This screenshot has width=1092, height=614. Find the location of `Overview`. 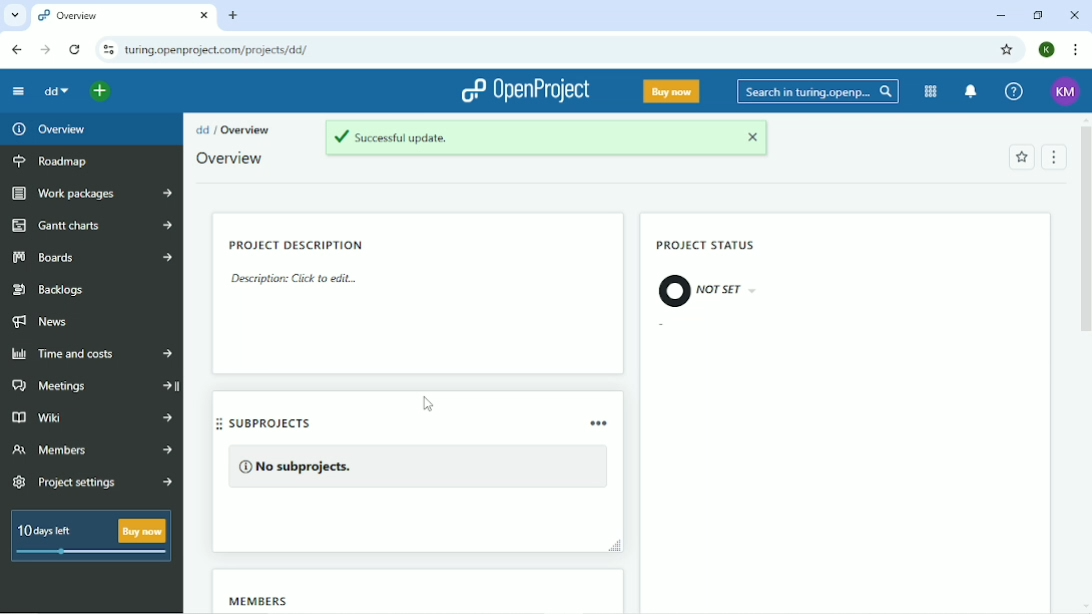

Overview is located at coordinates (229, 157).